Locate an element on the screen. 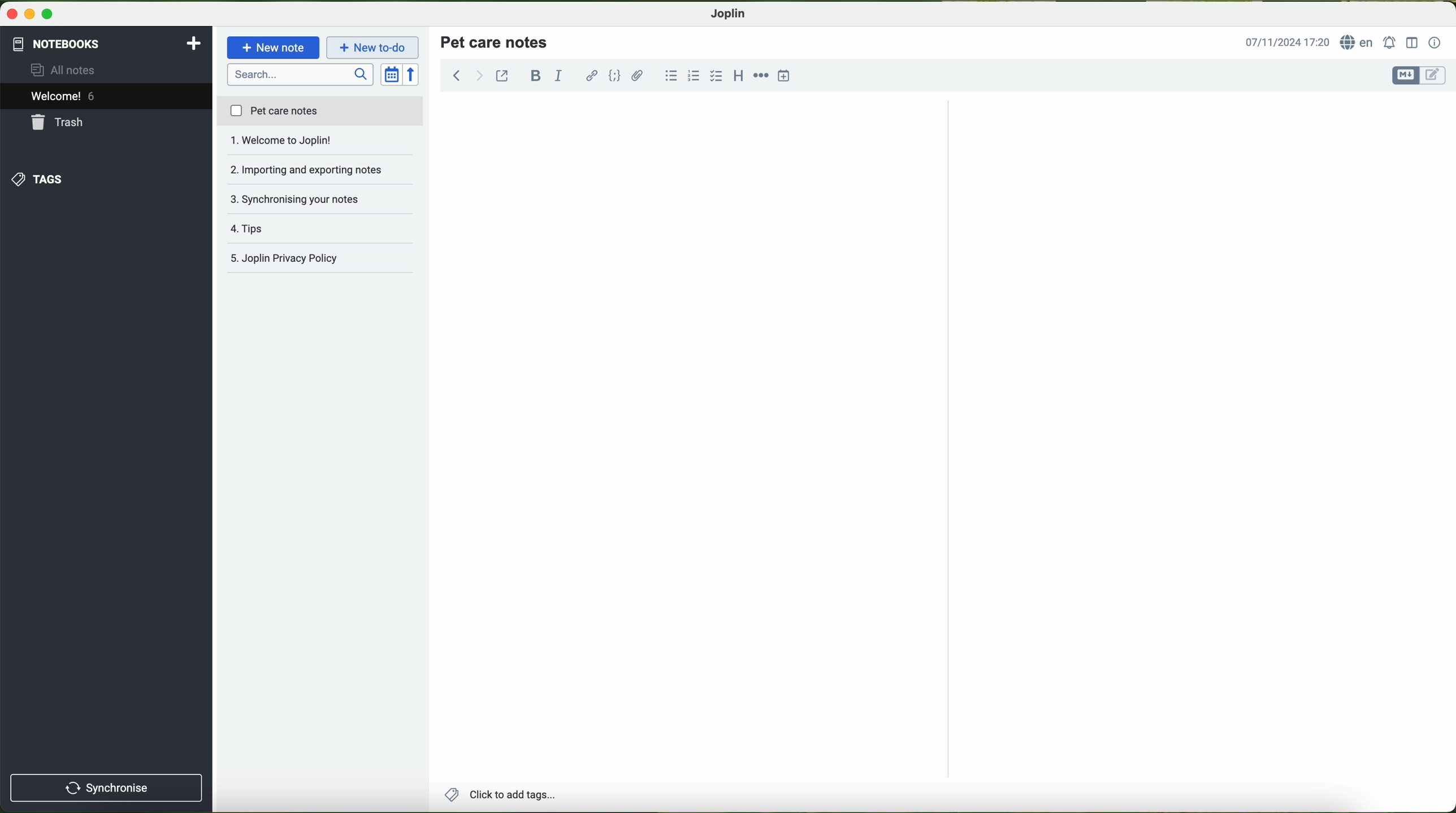  joplin privacy policy is located at coordinates (314, 260).